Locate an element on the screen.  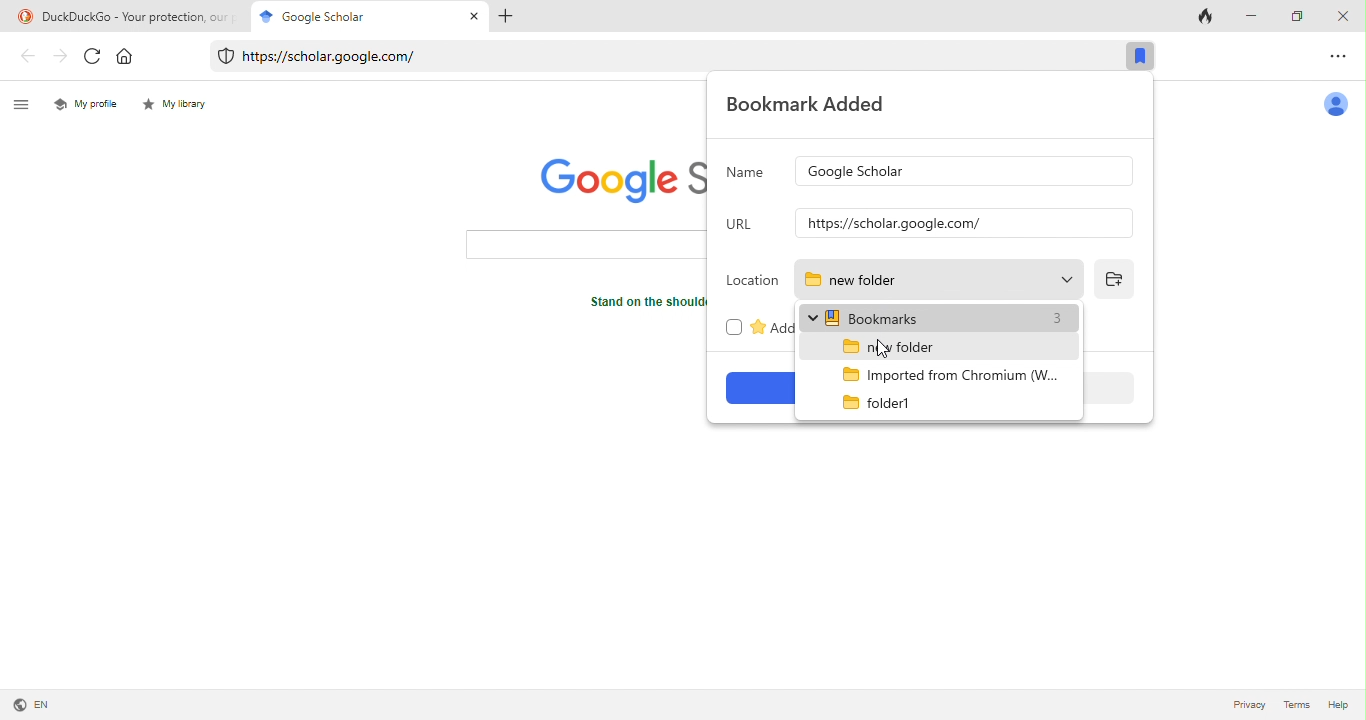
home is located at coordinates (133, 57).